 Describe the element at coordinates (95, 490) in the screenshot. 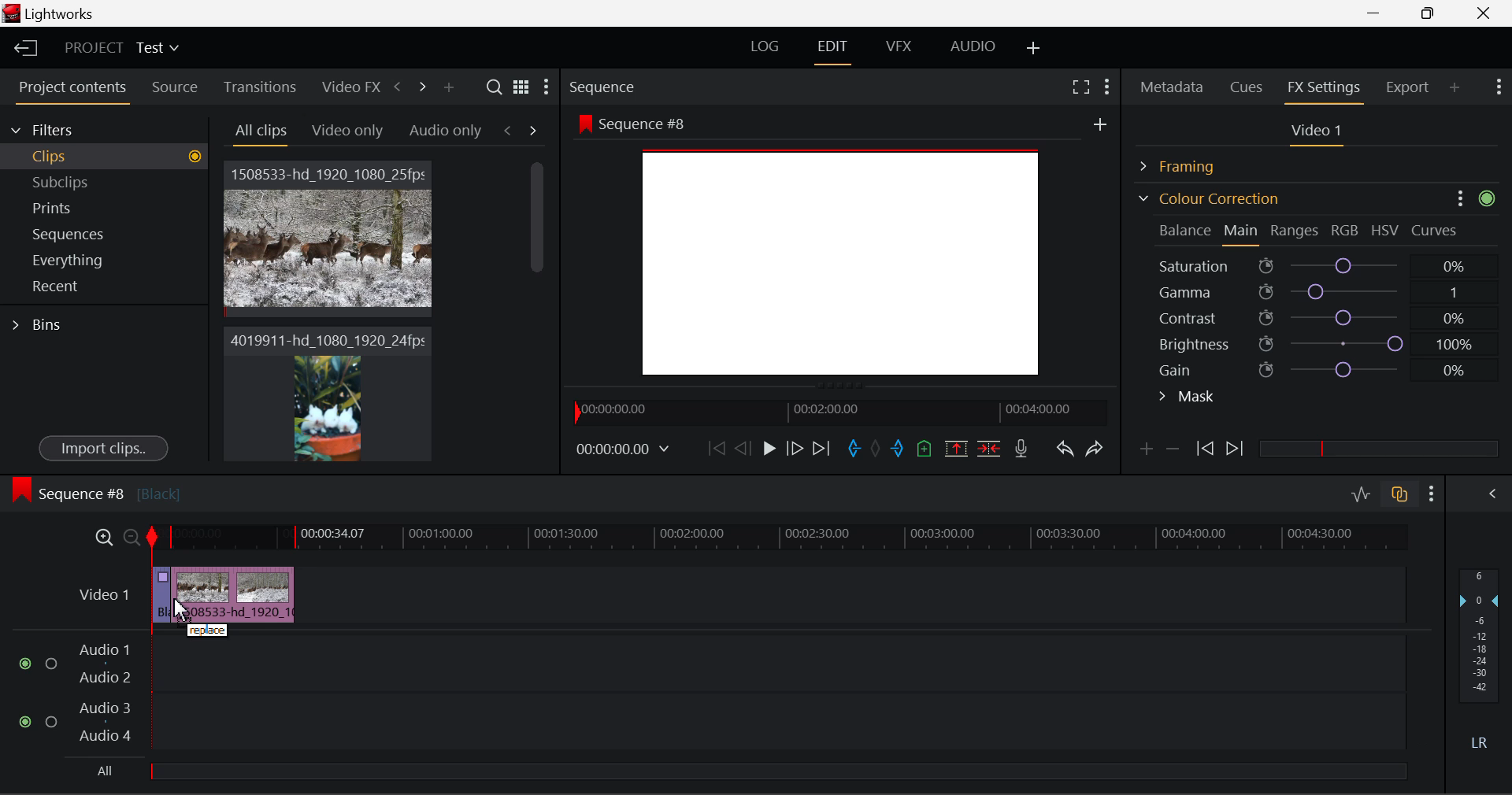

I see `Sequence #8` at that location.